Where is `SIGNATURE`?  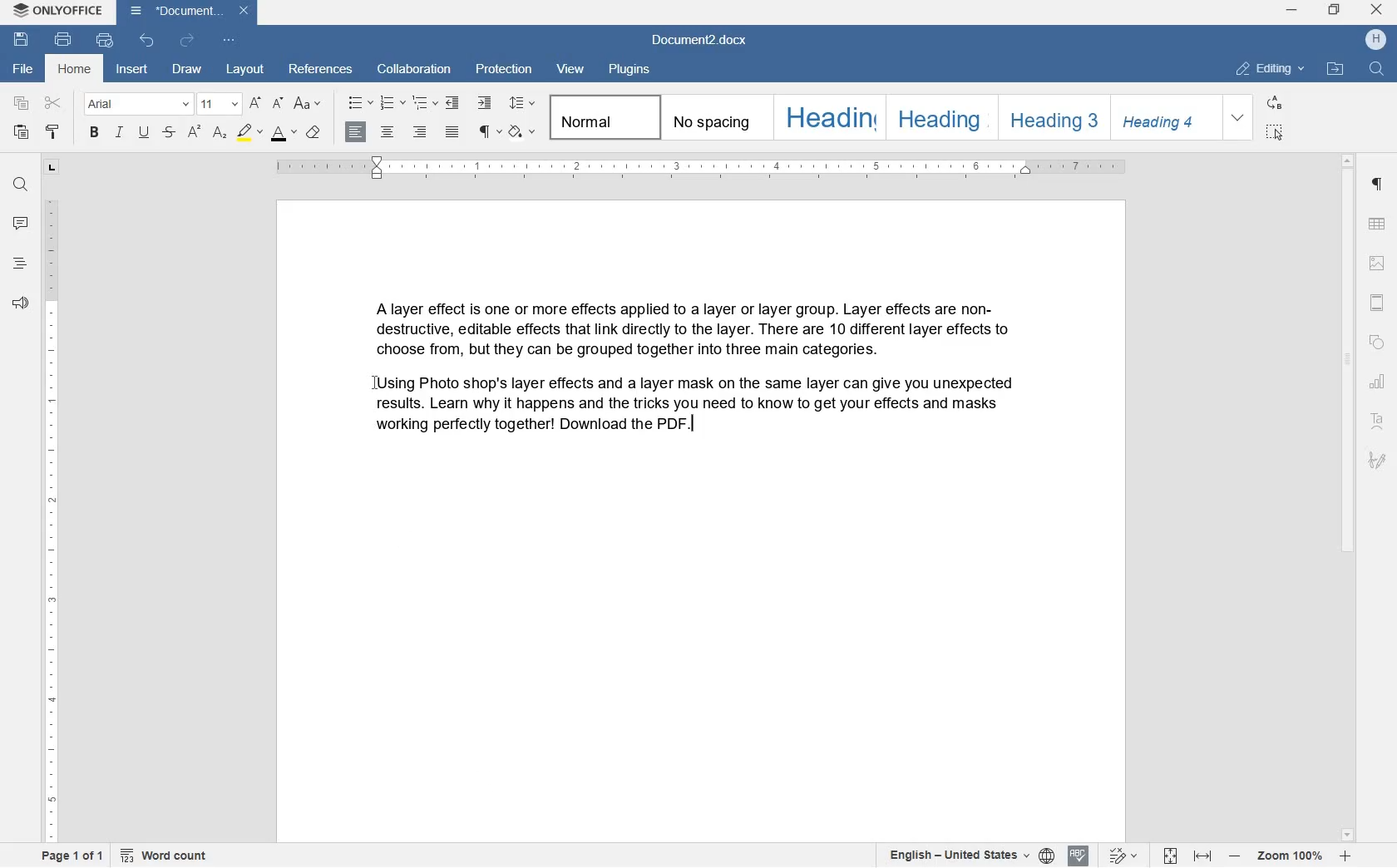
SIGNATURE is located at coordinates (1379, 457).